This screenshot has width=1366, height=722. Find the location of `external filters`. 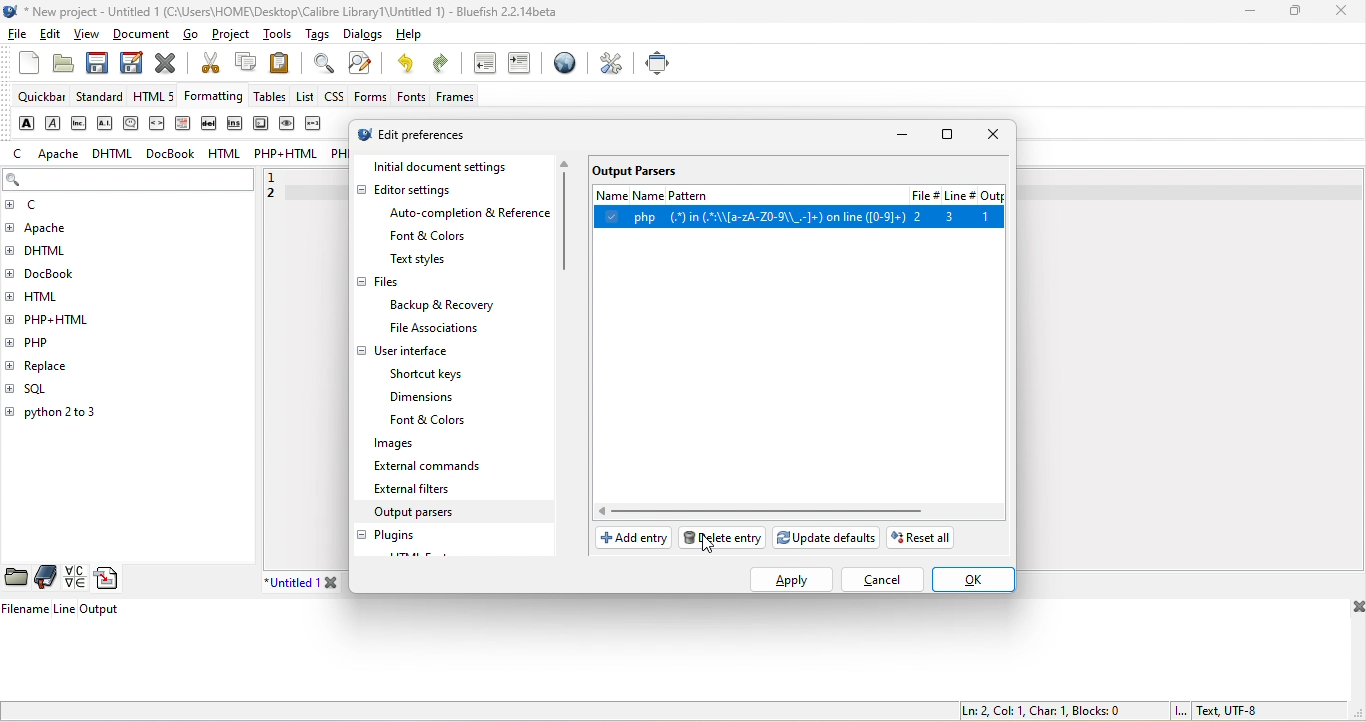

external filters is located at coordinates (415, 489).